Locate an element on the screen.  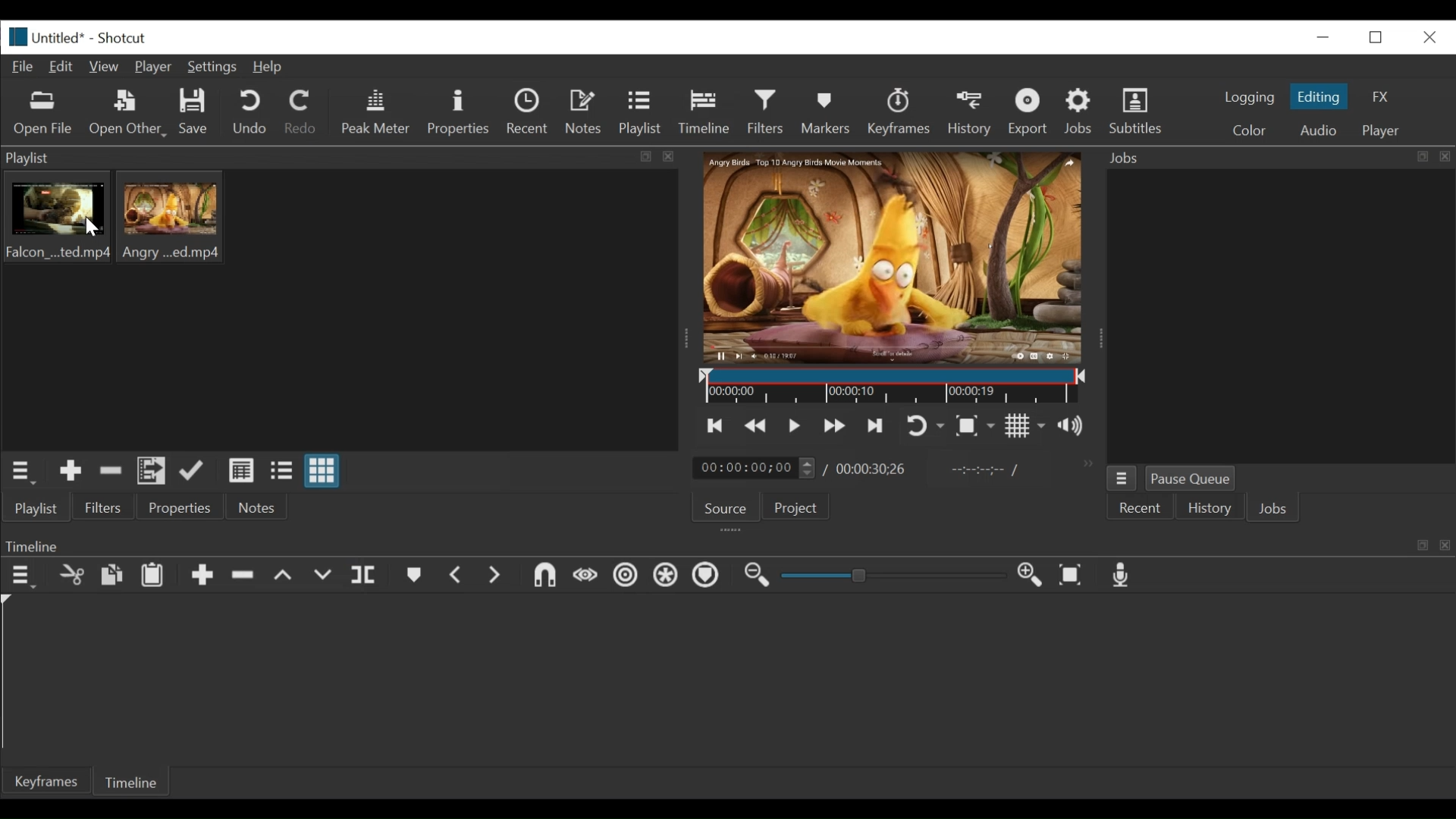
File is located at coordinates (26, 67).